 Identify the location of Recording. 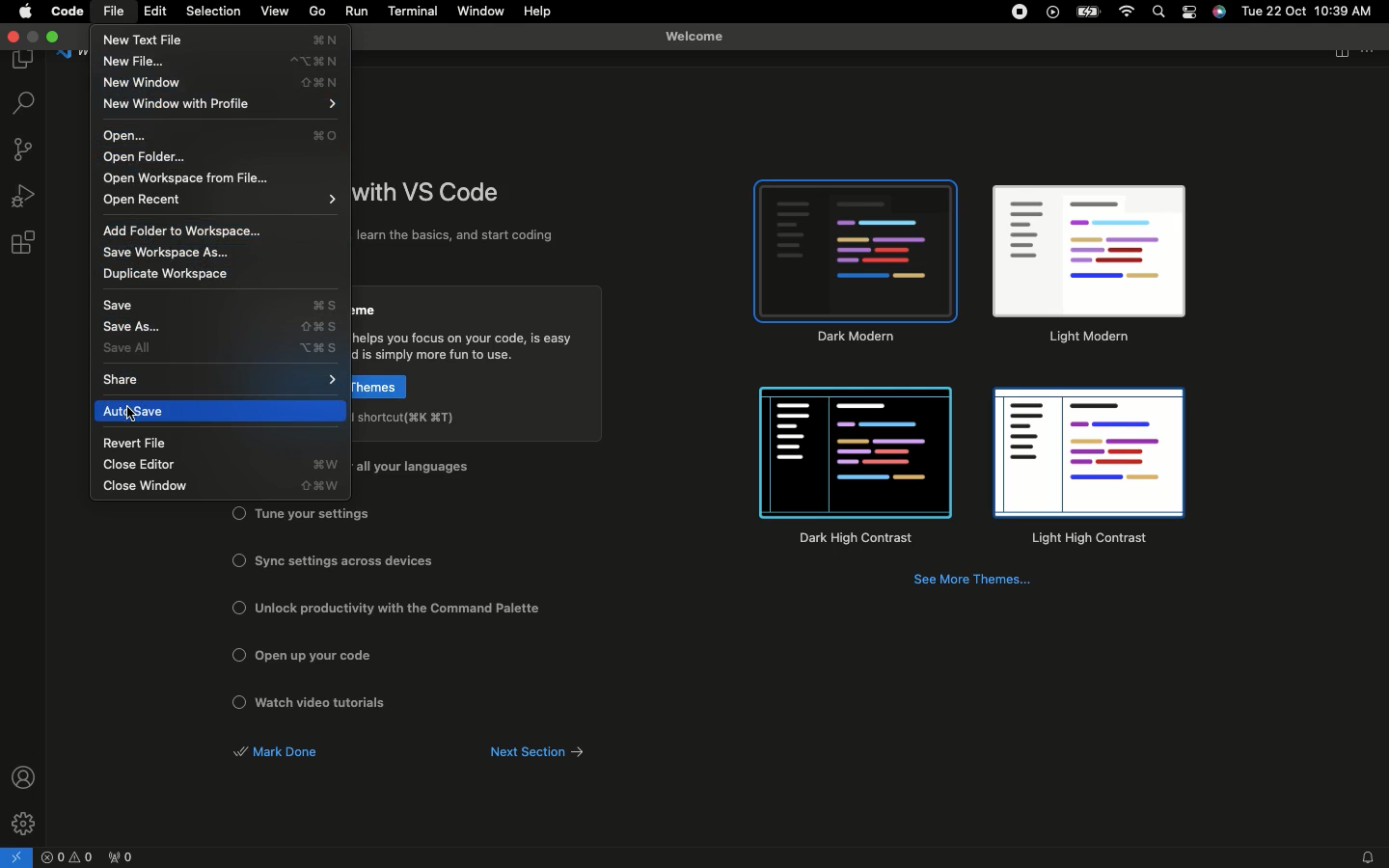
(1019, 14).